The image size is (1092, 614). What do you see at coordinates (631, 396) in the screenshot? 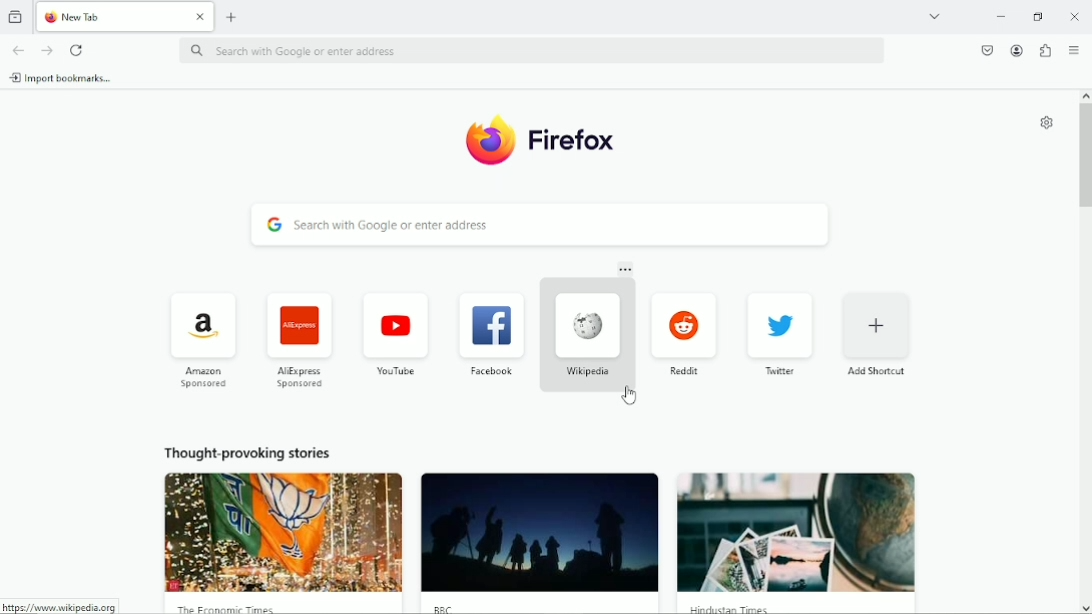
I see `Cursor` at bounding box center [631, 396].